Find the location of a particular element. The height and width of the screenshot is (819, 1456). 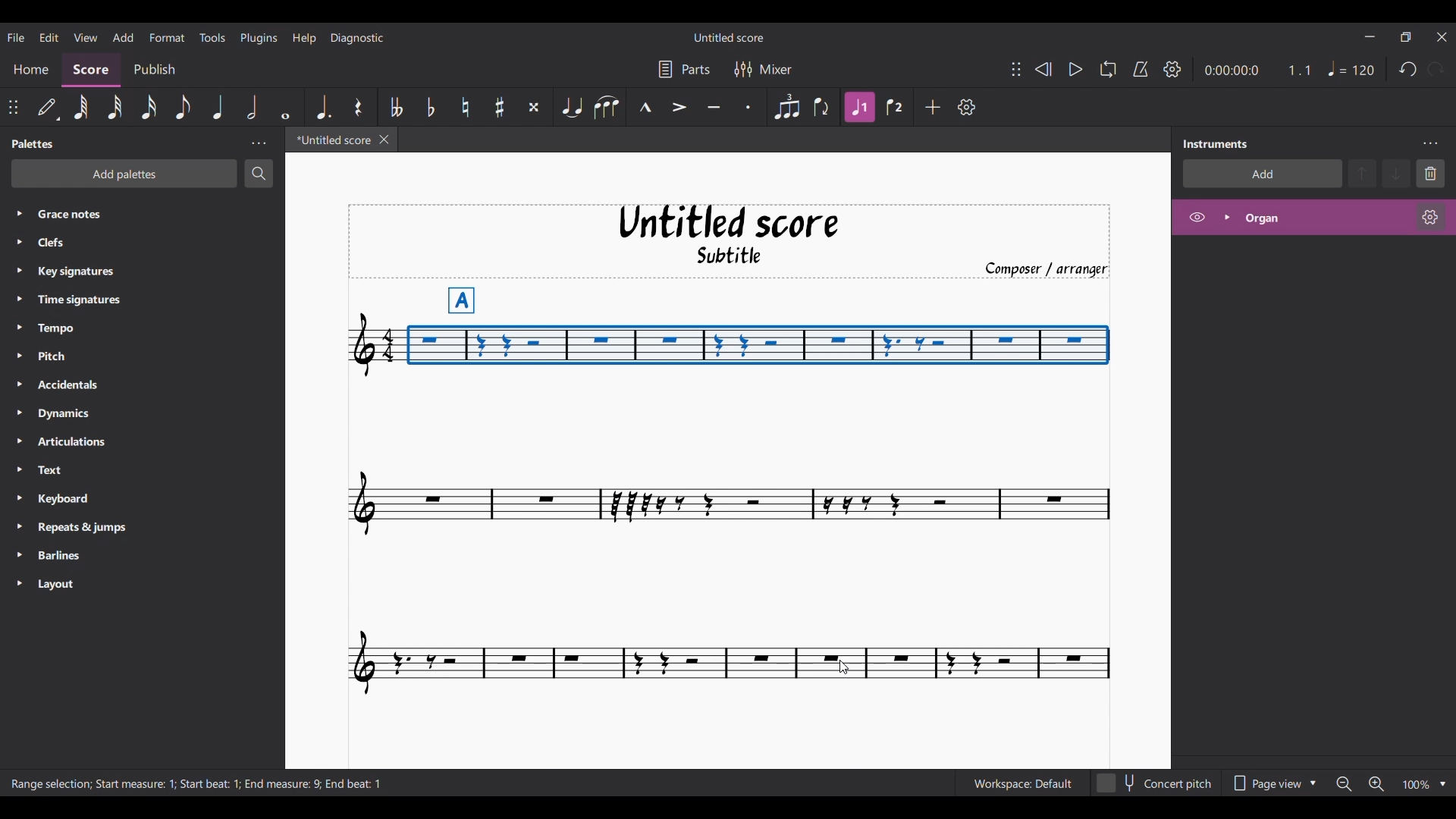

Articulations is located at coordinates (85, 442).